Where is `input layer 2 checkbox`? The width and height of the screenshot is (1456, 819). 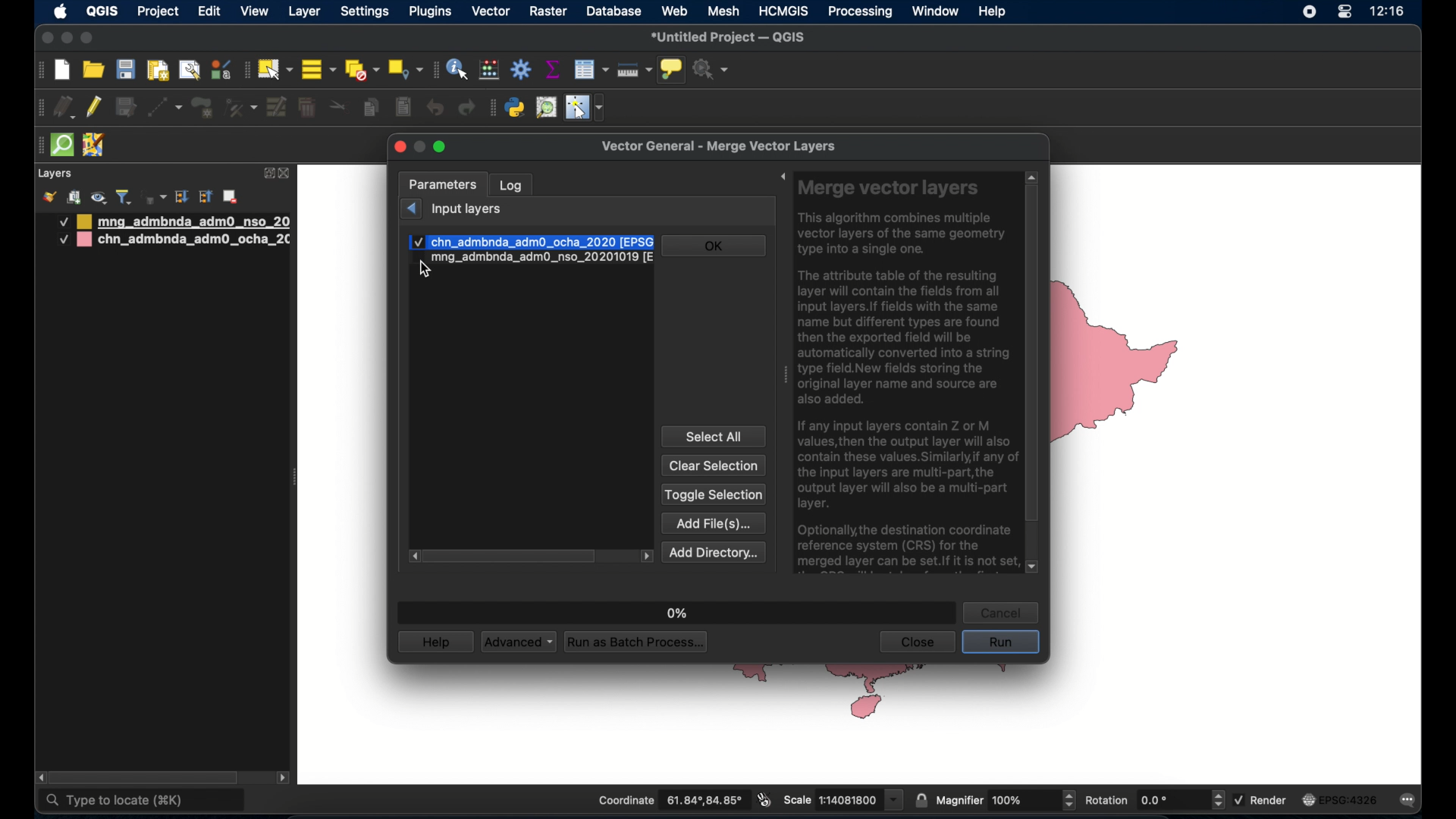
input layer 2 checkbox is located at coordinates (535, 259).